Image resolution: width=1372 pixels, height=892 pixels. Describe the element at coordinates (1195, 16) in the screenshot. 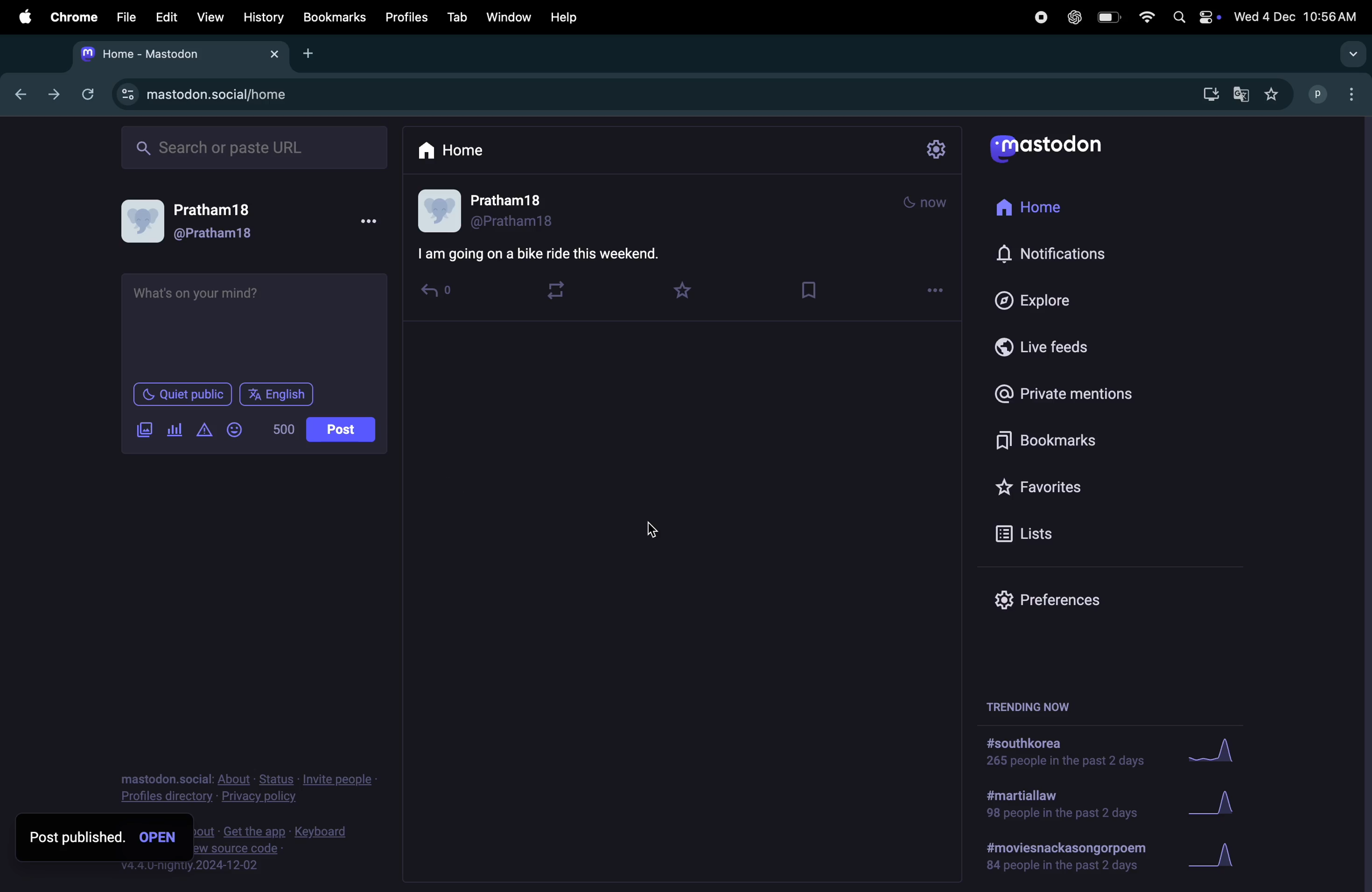

I see `apple widgets` at that location.